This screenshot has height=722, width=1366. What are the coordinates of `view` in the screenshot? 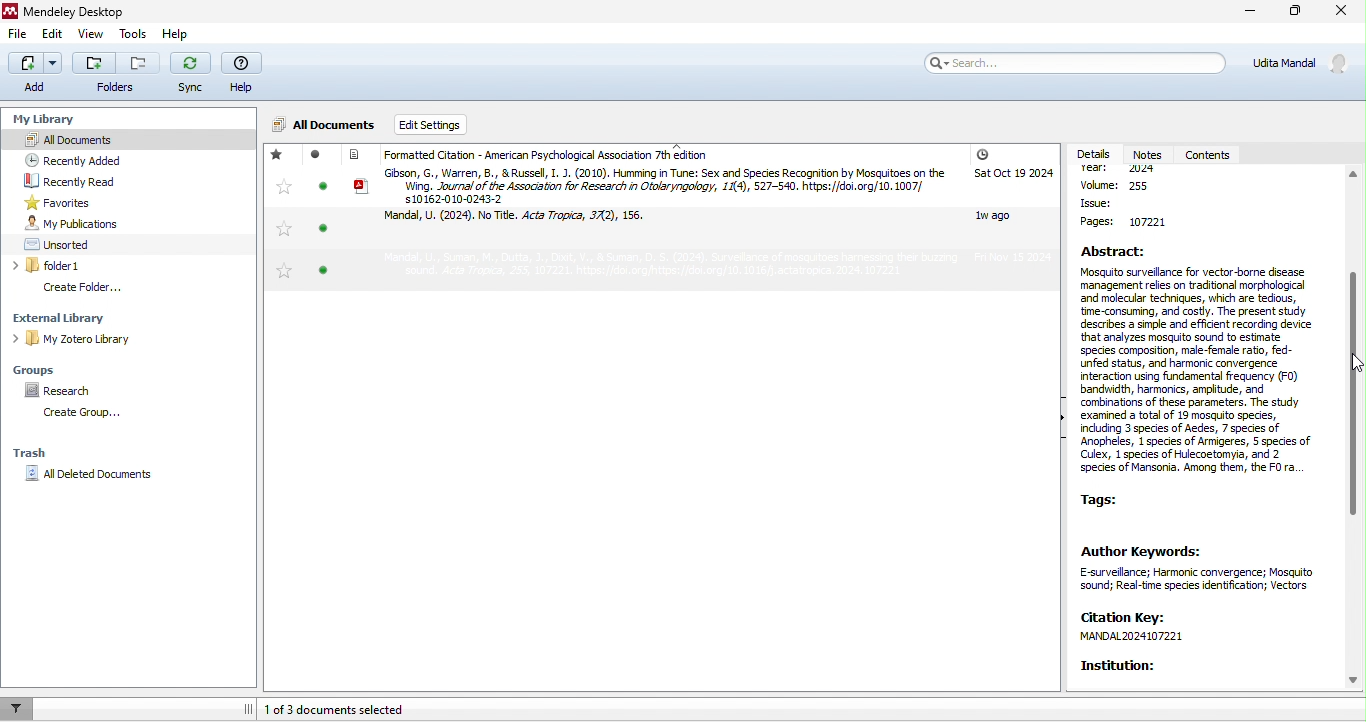 It's located at (88, 36).